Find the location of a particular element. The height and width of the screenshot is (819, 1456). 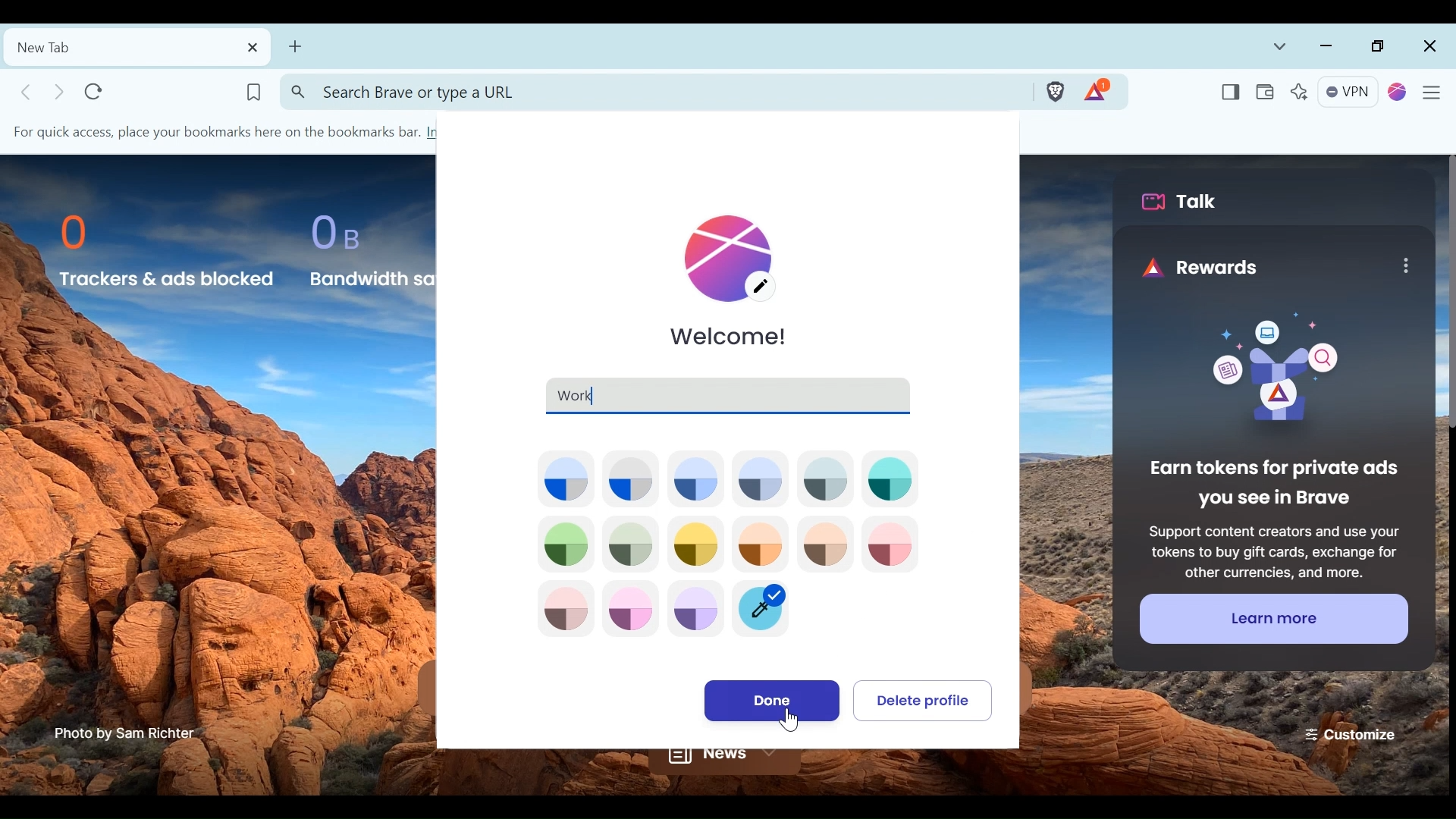

Wallet is located at coordinates (1263, 93).